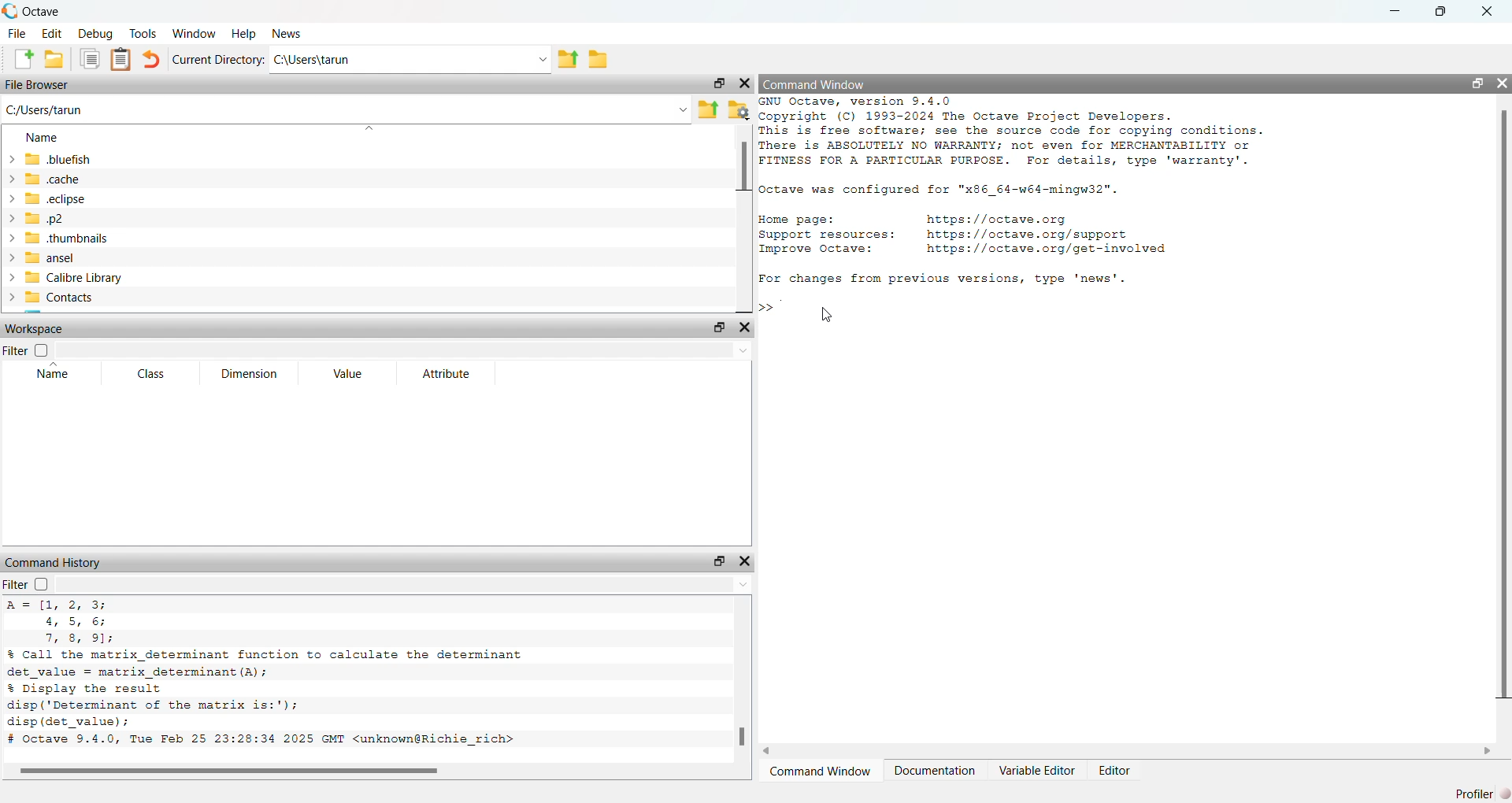  What do you see at coordinates (1128, 750) in the screenshot?
I see `scrollbar` at bounding box center [1128, 750].